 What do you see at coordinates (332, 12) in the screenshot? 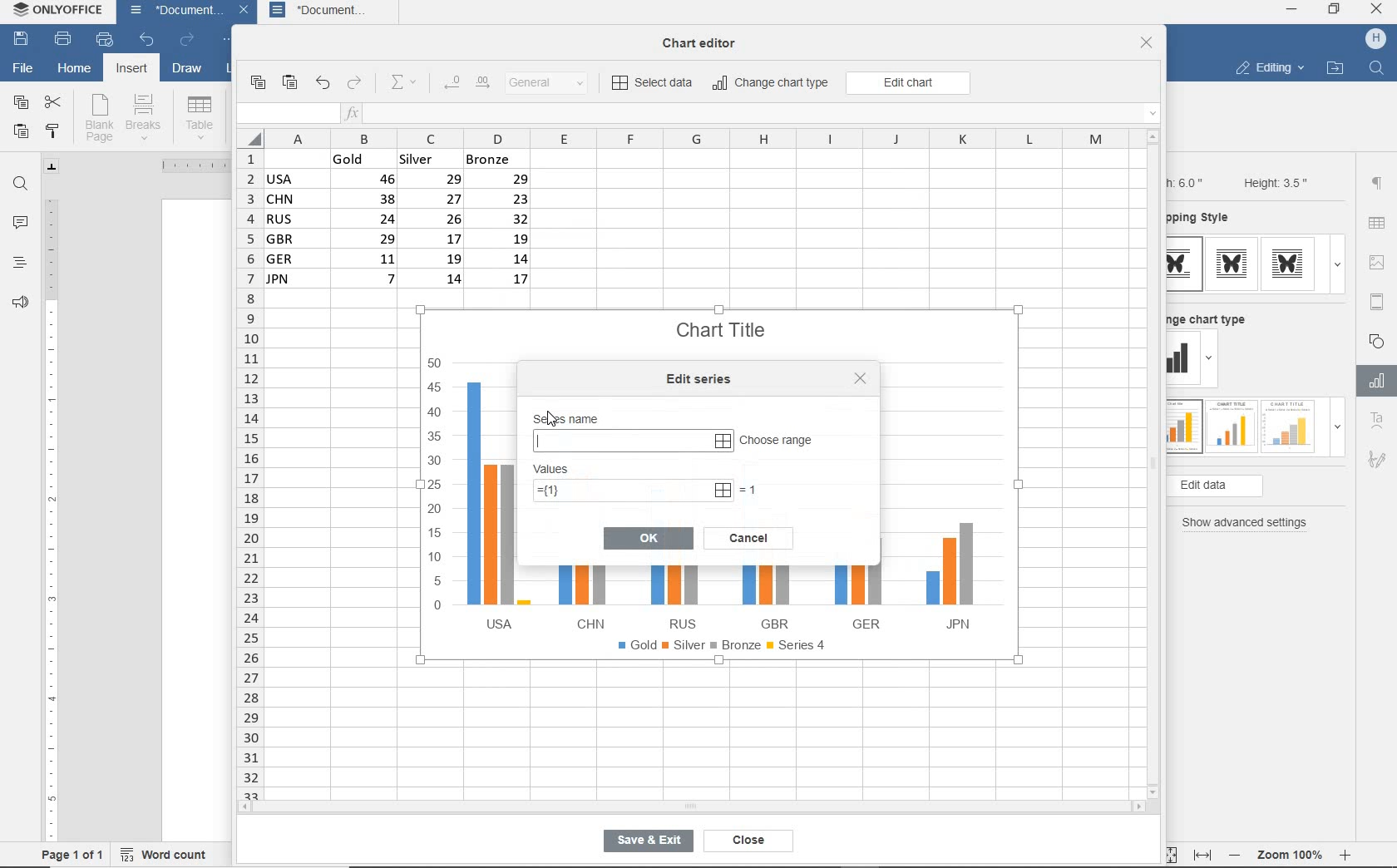
I see `document` at bounding box center [332, 12].